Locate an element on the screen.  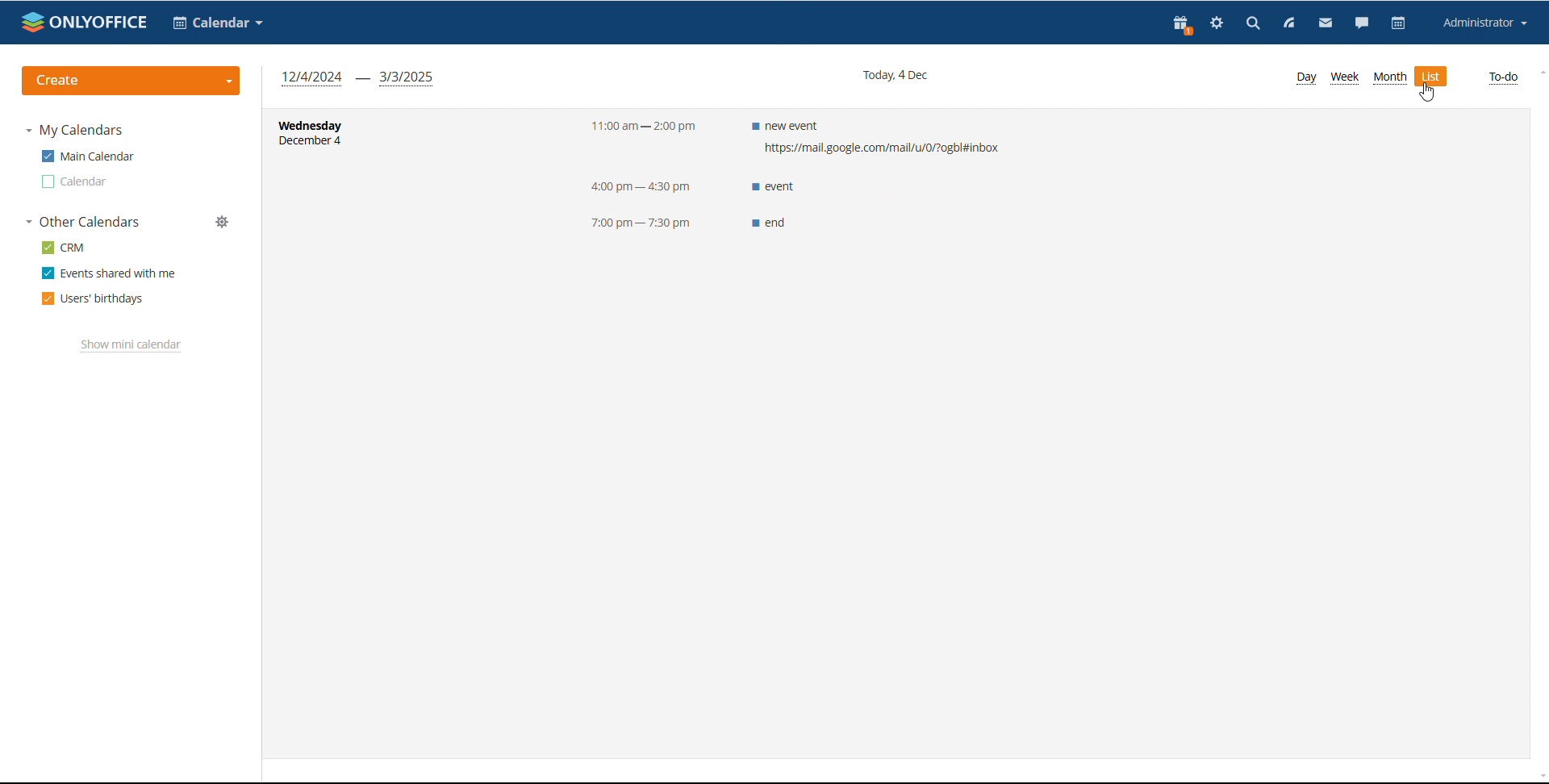
mail is located at coordinates (1323, 24).